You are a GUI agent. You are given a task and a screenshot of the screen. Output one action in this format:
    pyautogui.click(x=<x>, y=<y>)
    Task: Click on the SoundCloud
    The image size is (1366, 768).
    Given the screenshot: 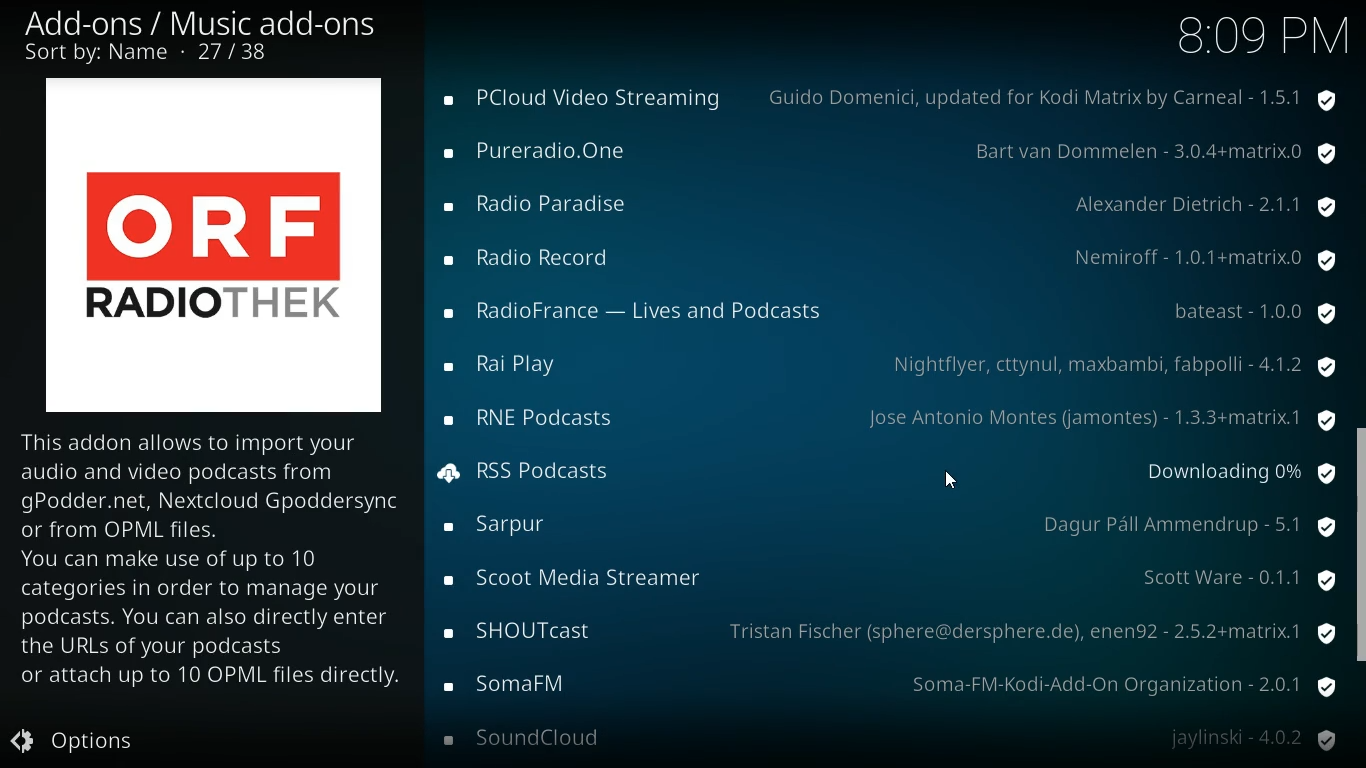 What is the action you would take?
    pyautogui.click(x=536, y=737)
    